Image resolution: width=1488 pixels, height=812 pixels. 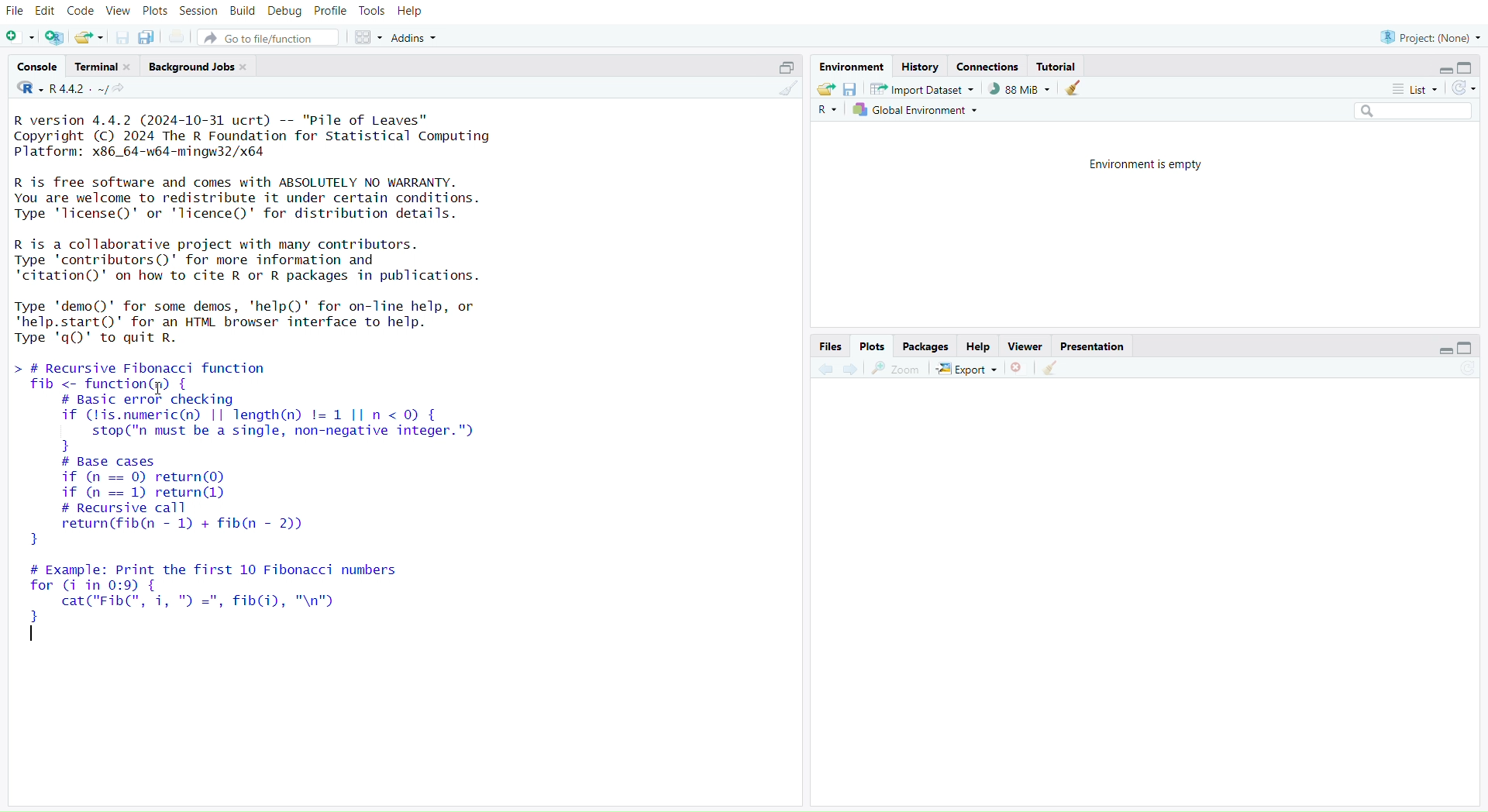 What do you see at coordinates (783, 68) in the screenshot?
I see `collapse` at bounding box center [783, 68].